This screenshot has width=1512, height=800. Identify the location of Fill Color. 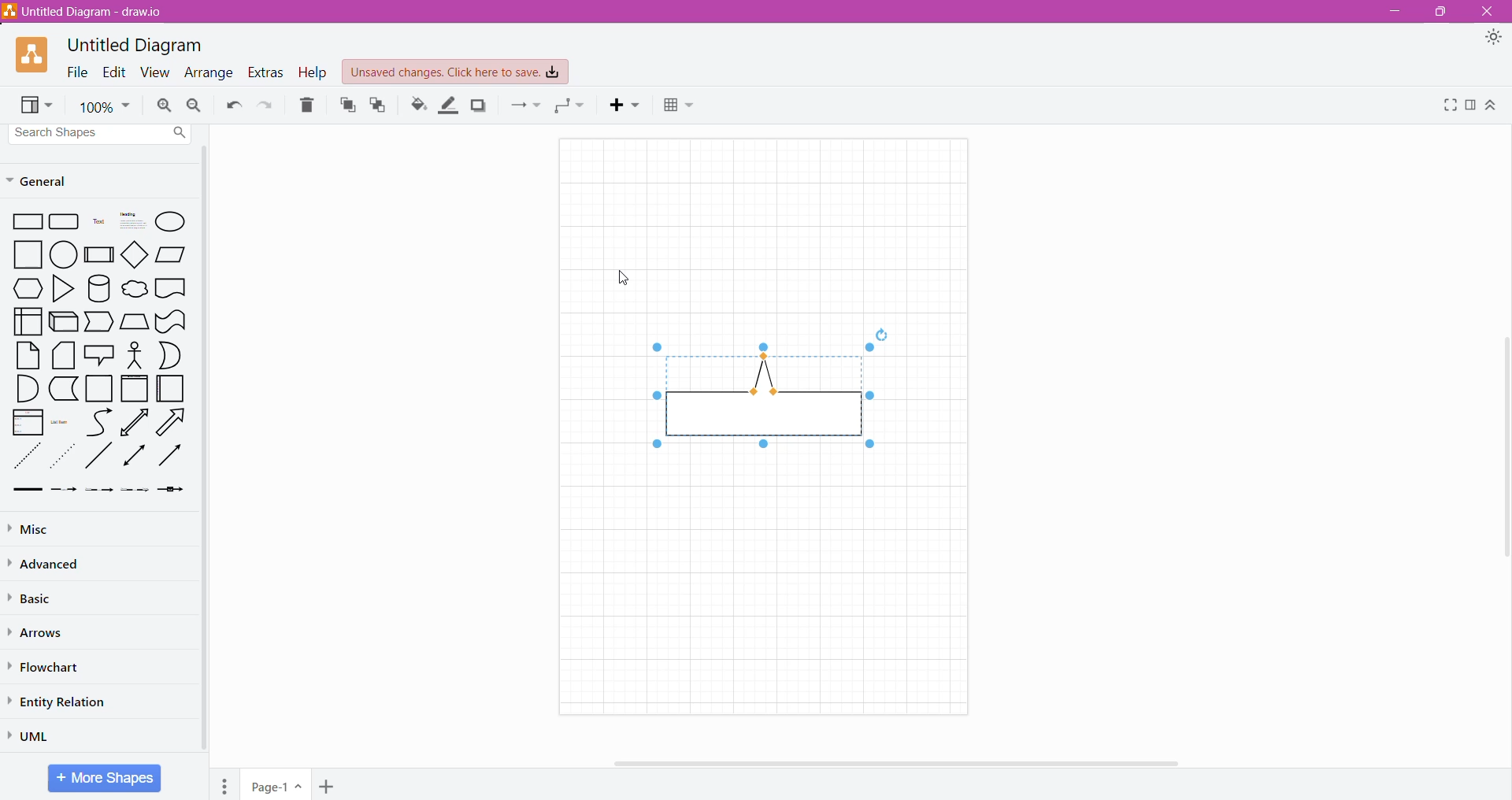
(417, 105).